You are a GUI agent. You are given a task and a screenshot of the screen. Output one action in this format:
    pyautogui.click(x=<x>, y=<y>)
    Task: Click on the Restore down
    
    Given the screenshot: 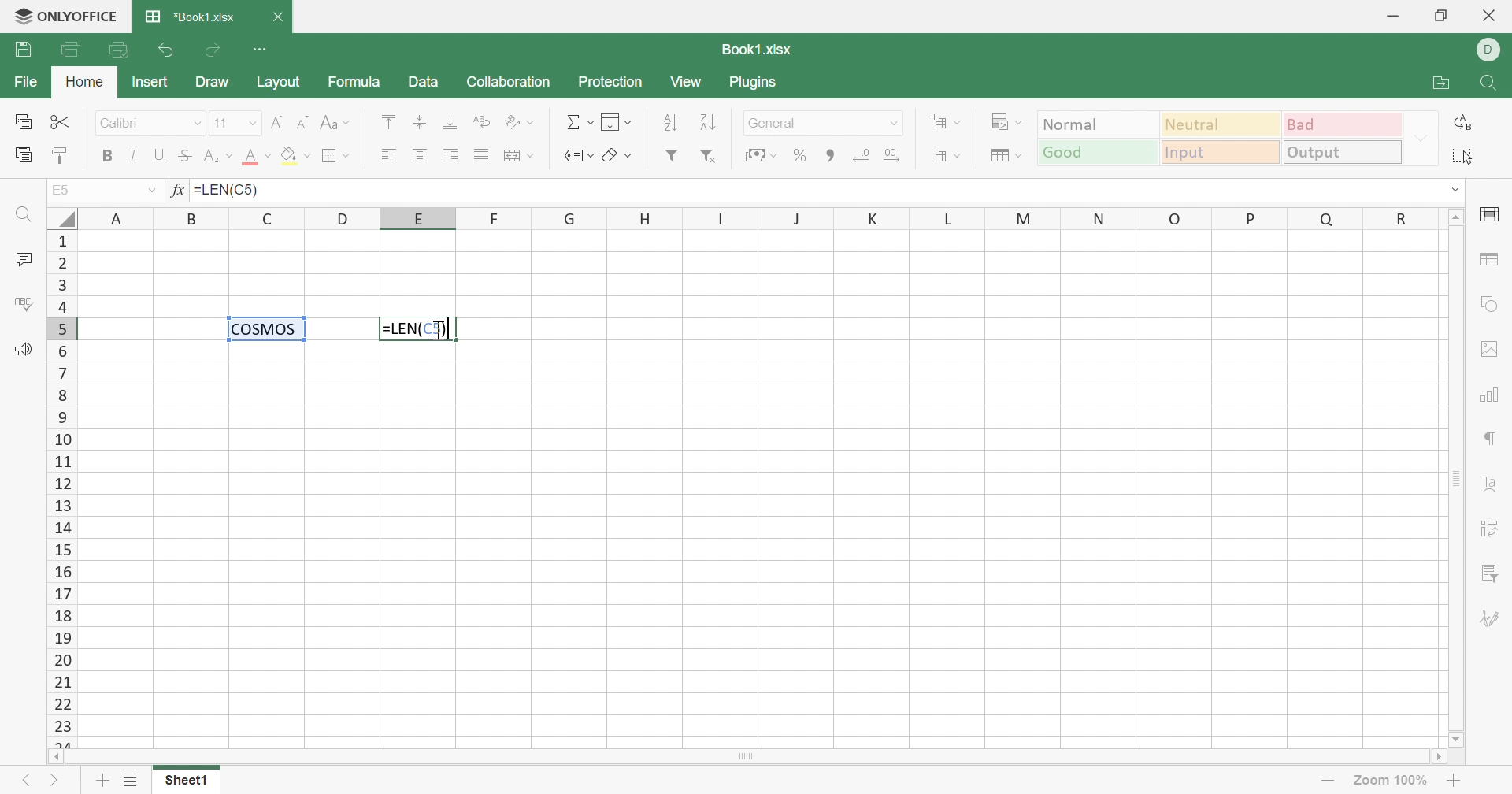 What is the action you would take?
    pyautogui.click(x=1445, y=17)
    